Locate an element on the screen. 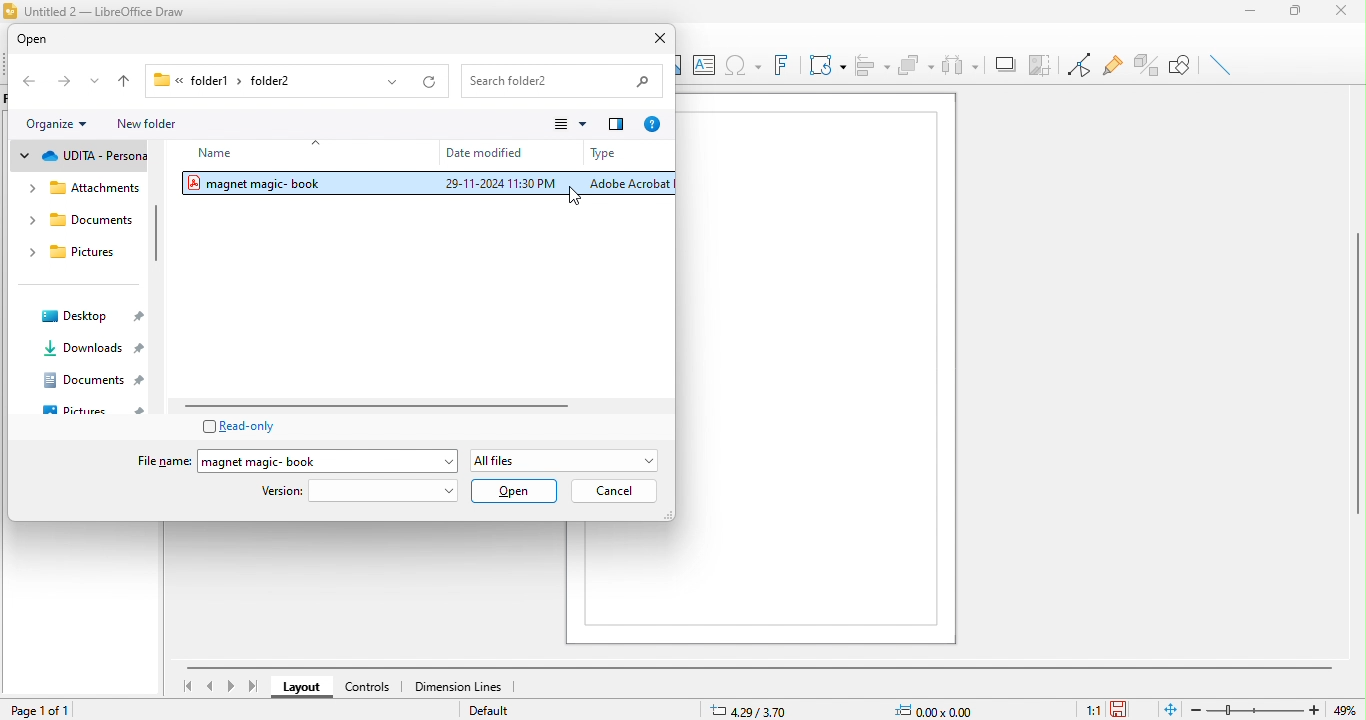  maximize is located at coordinates (1296, 11).